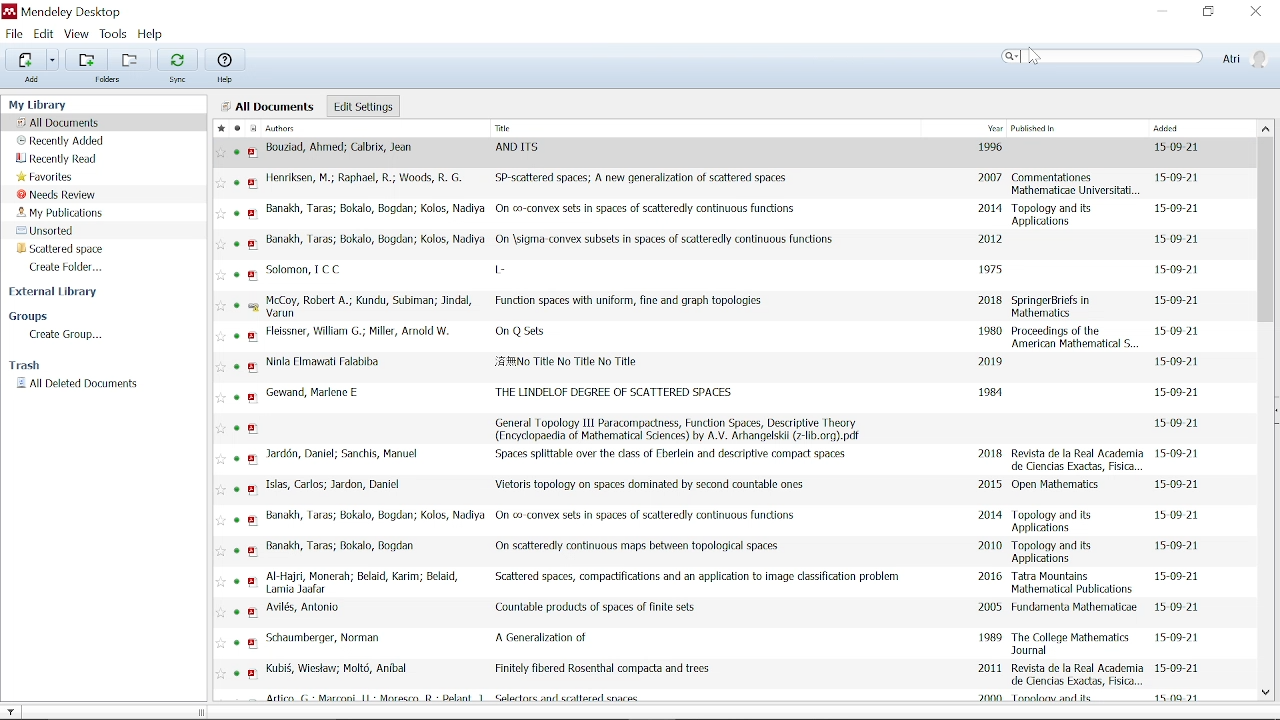 The height and width of the screenshot is (720, 1280). I want to click on Folders, so click(106, 79).